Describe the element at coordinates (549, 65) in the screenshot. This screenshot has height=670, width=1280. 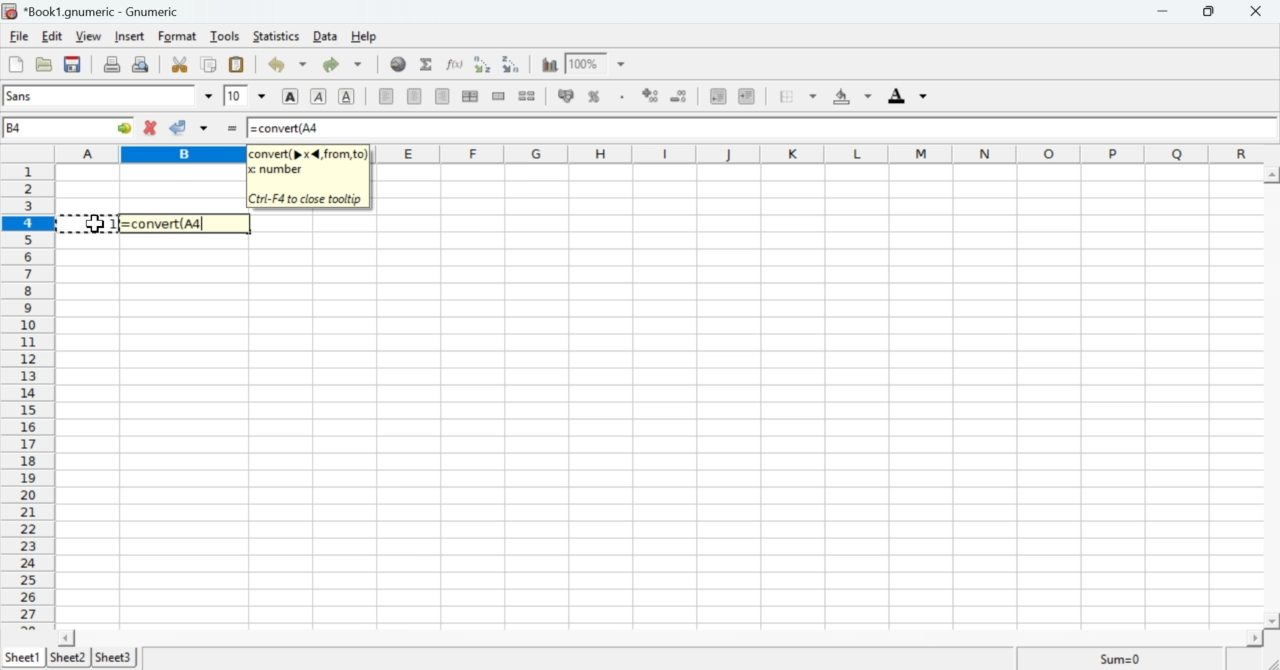
I see `Charts` at that location.